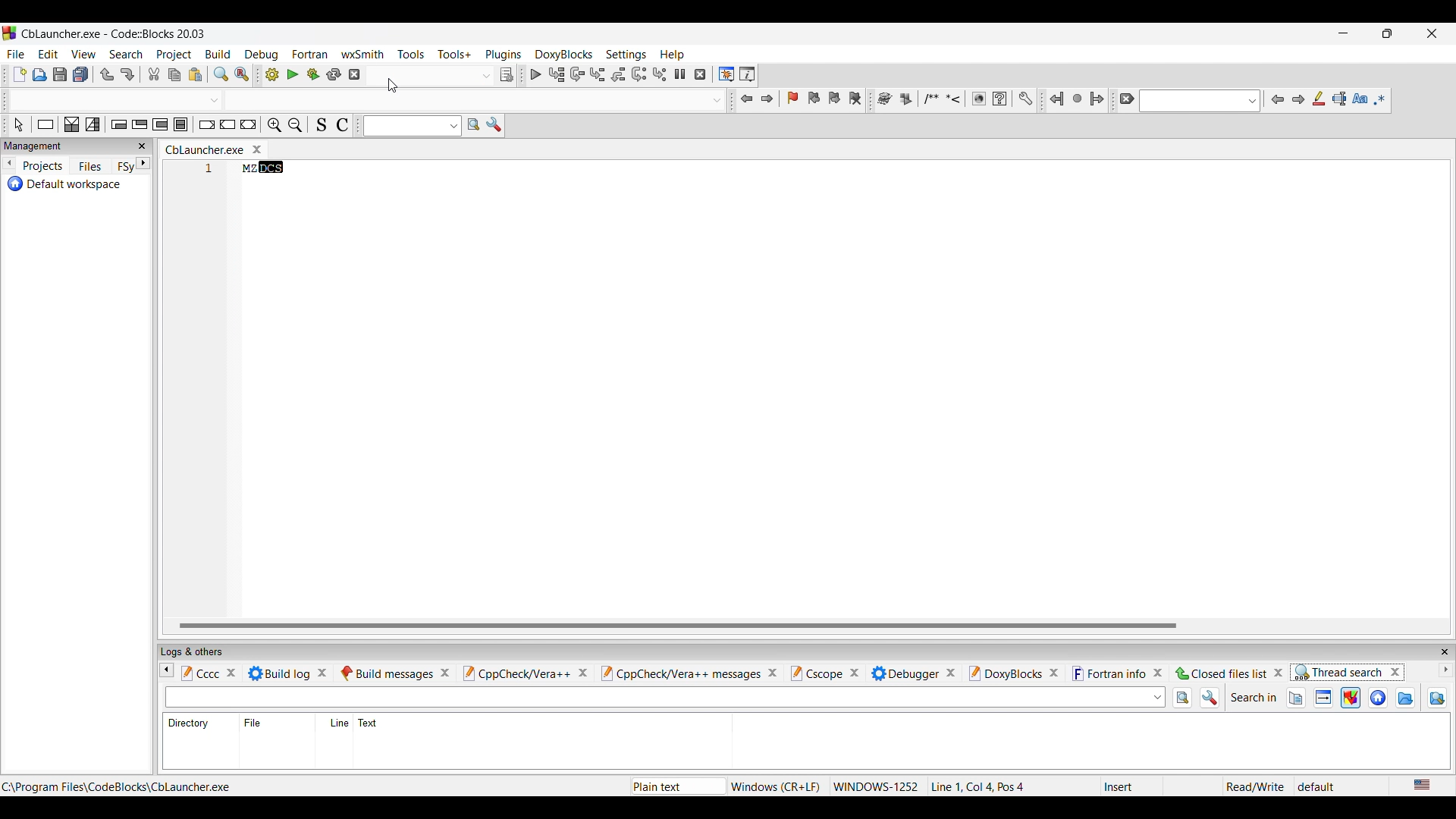 The height and width of the screenshot is (819, 1456). I want to click on Insert, so click(1117, 785).